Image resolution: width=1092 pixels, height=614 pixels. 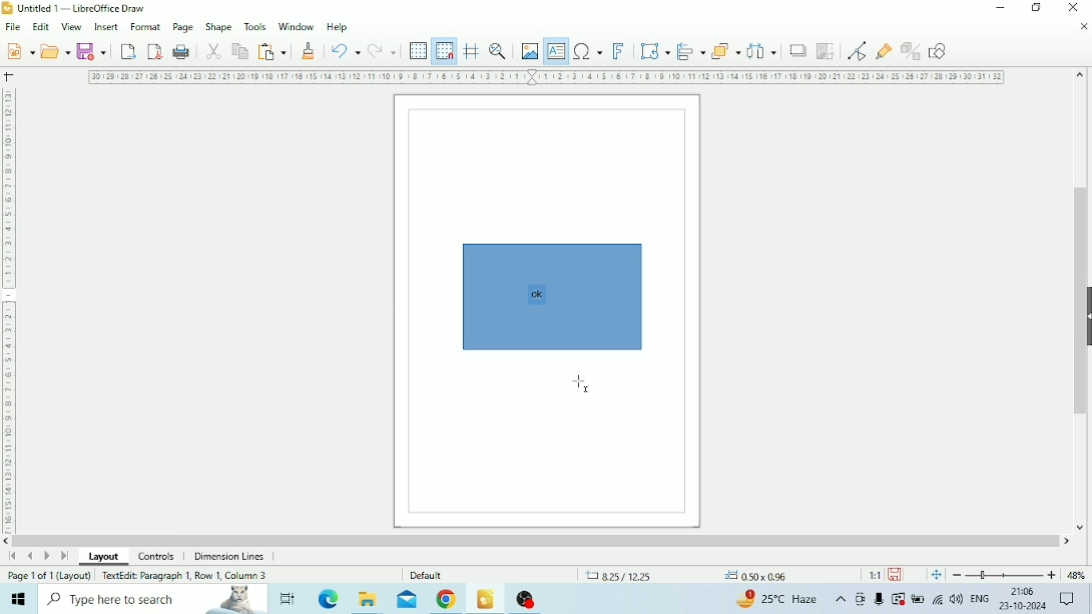 What do you see at coordinates (12, 27) in the screenshot?
I see `File` at bounding box center [12, 27].